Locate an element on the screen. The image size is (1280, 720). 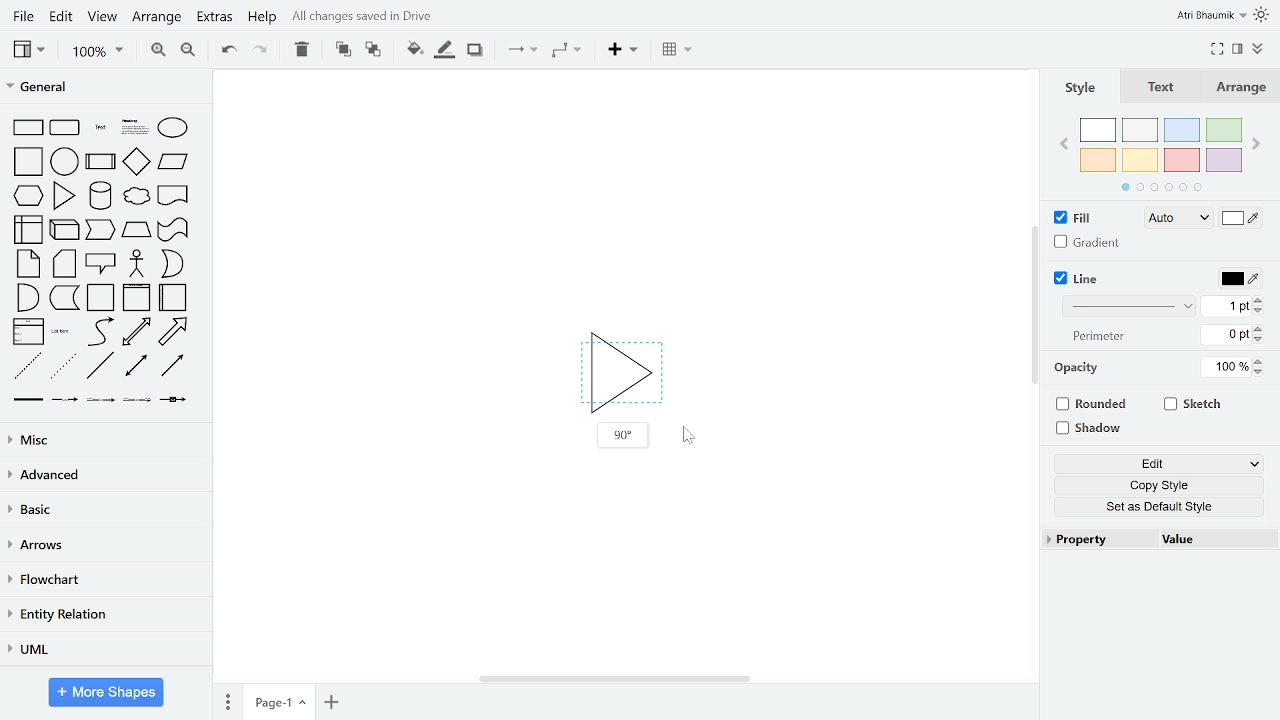
rounded rectangle is located at coordinates (66, 128).